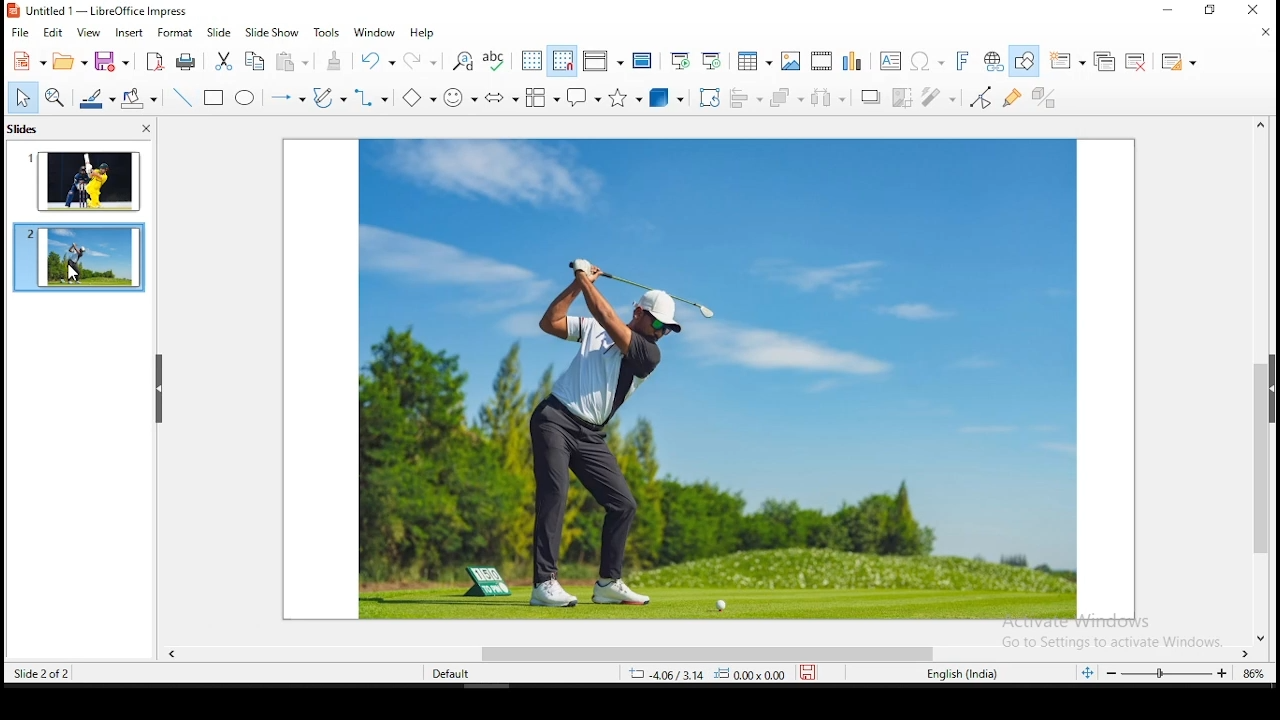 The width and height of the screenshot is (1280, 720). What do you see at coordinates (424, 32) in the screenshot?
I see `help` at bounding box center [424, 32].